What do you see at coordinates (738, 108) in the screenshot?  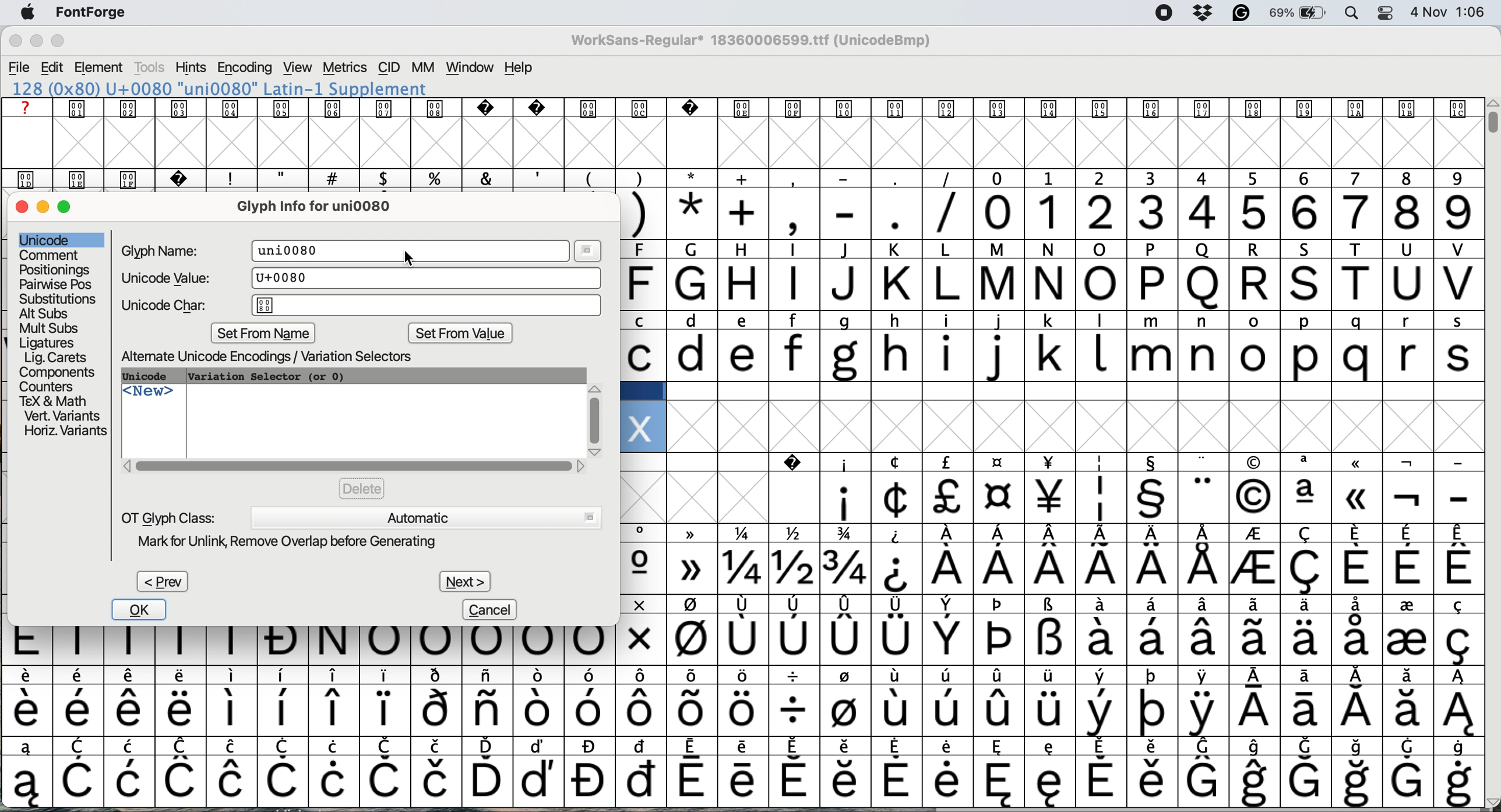 I see `text` at bounding box center [738, 108].